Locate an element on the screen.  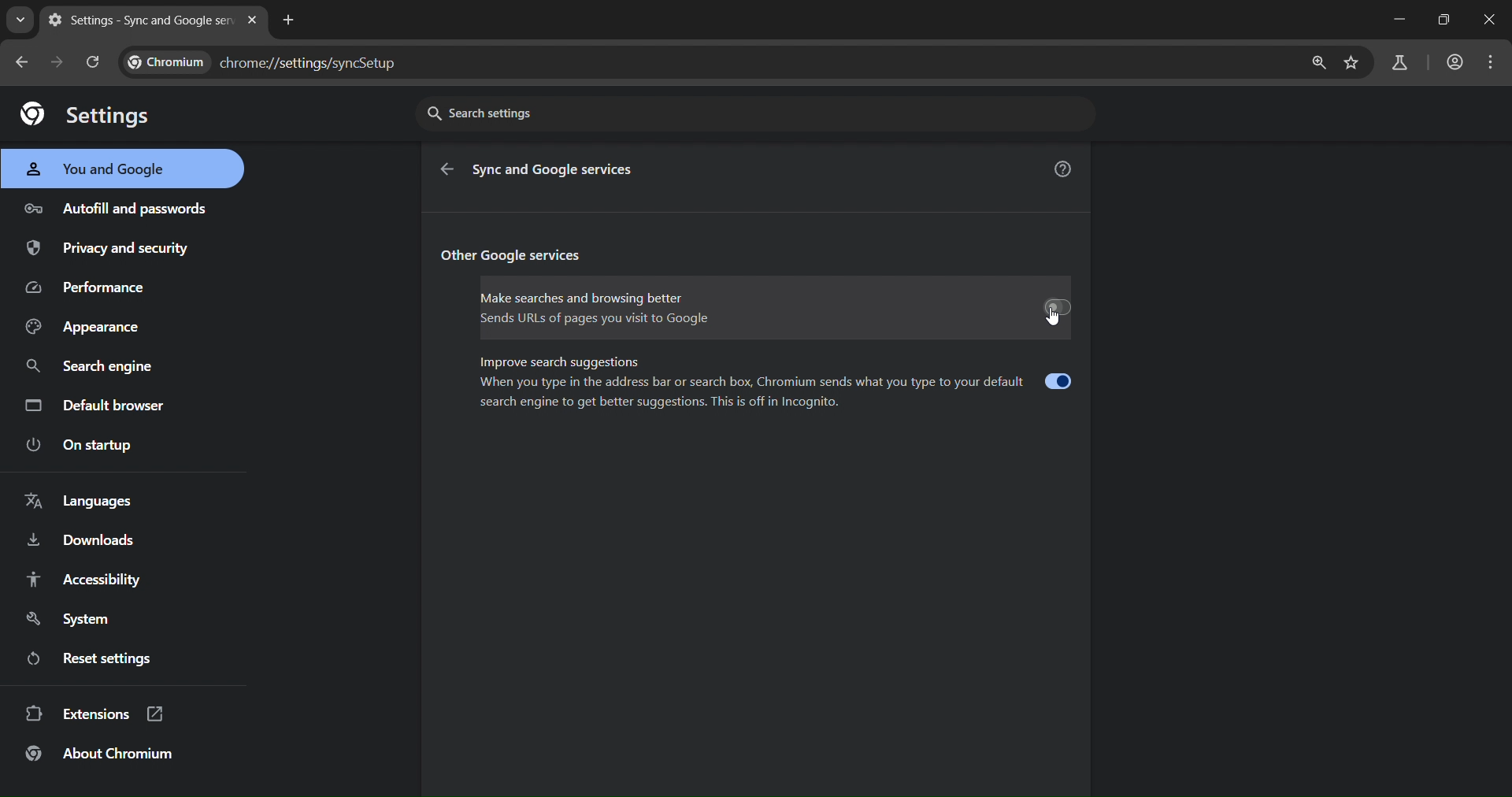
about chromium is located at coordinates (102, 754).